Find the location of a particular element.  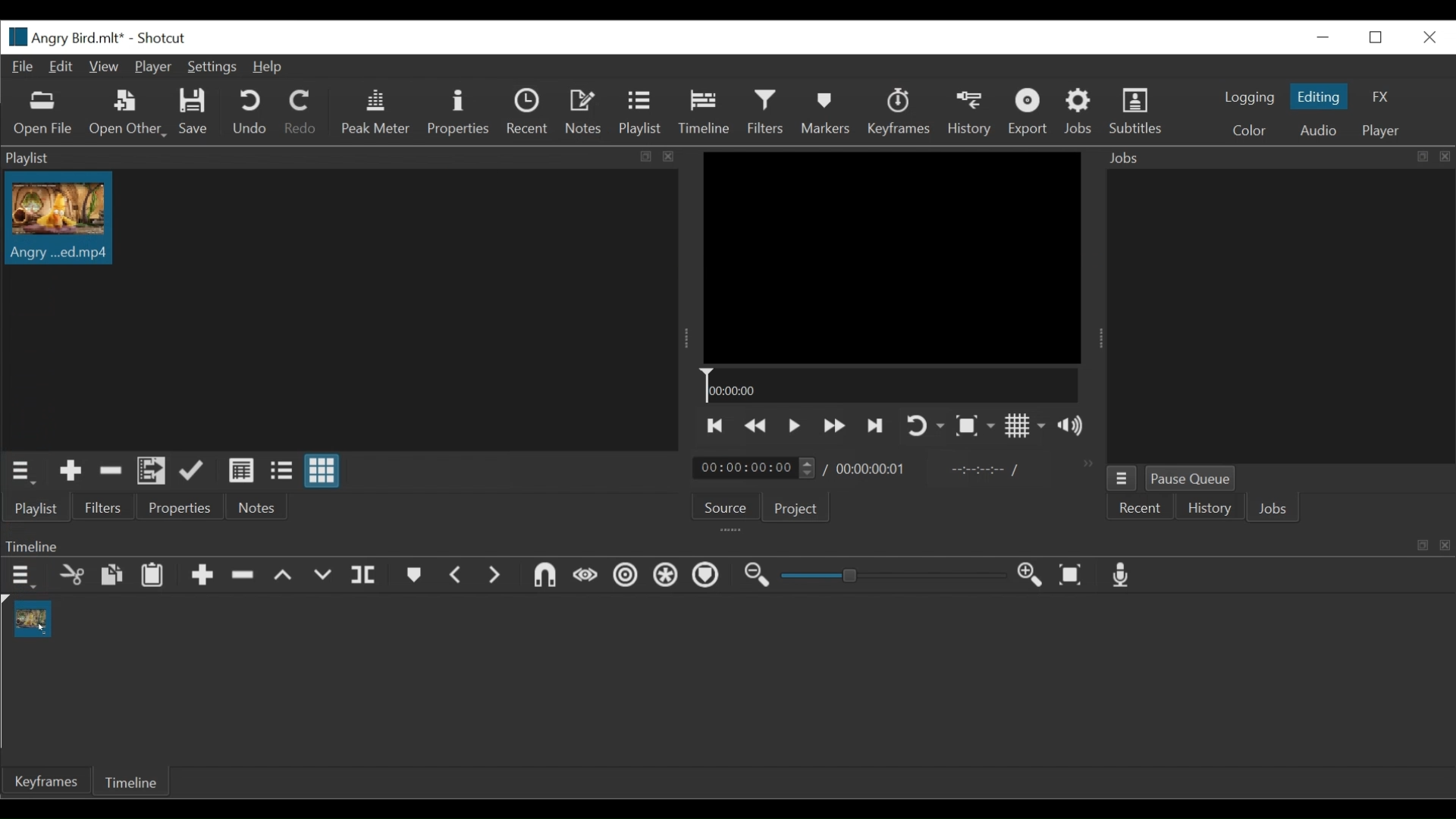

Set Filter Last is located at coordinates (539, 576).